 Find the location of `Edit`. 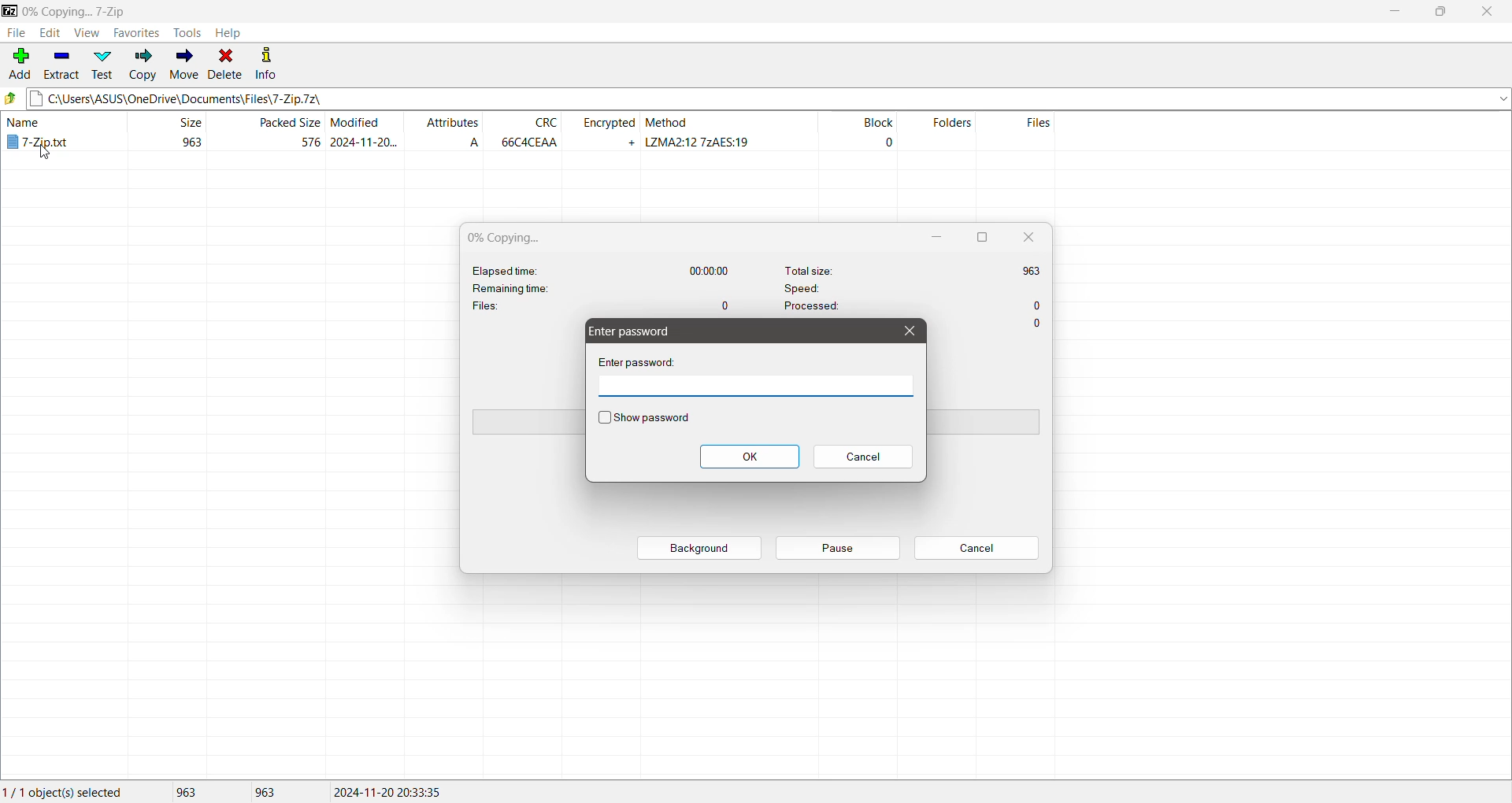

Edit is located at coordinates (48, 33).